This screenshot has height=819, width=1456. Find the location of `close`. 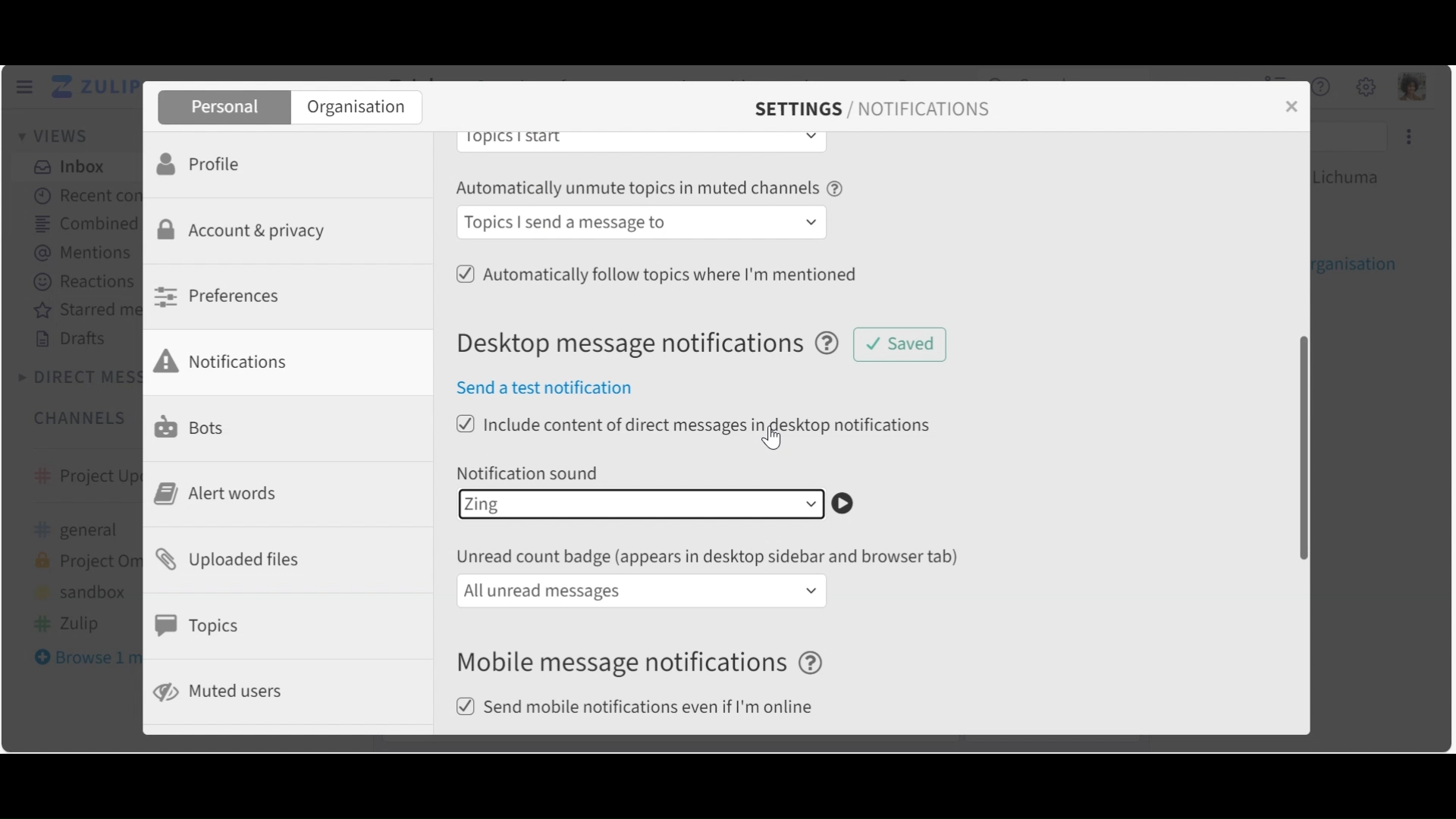

close is located at coordinates (1297, 114).